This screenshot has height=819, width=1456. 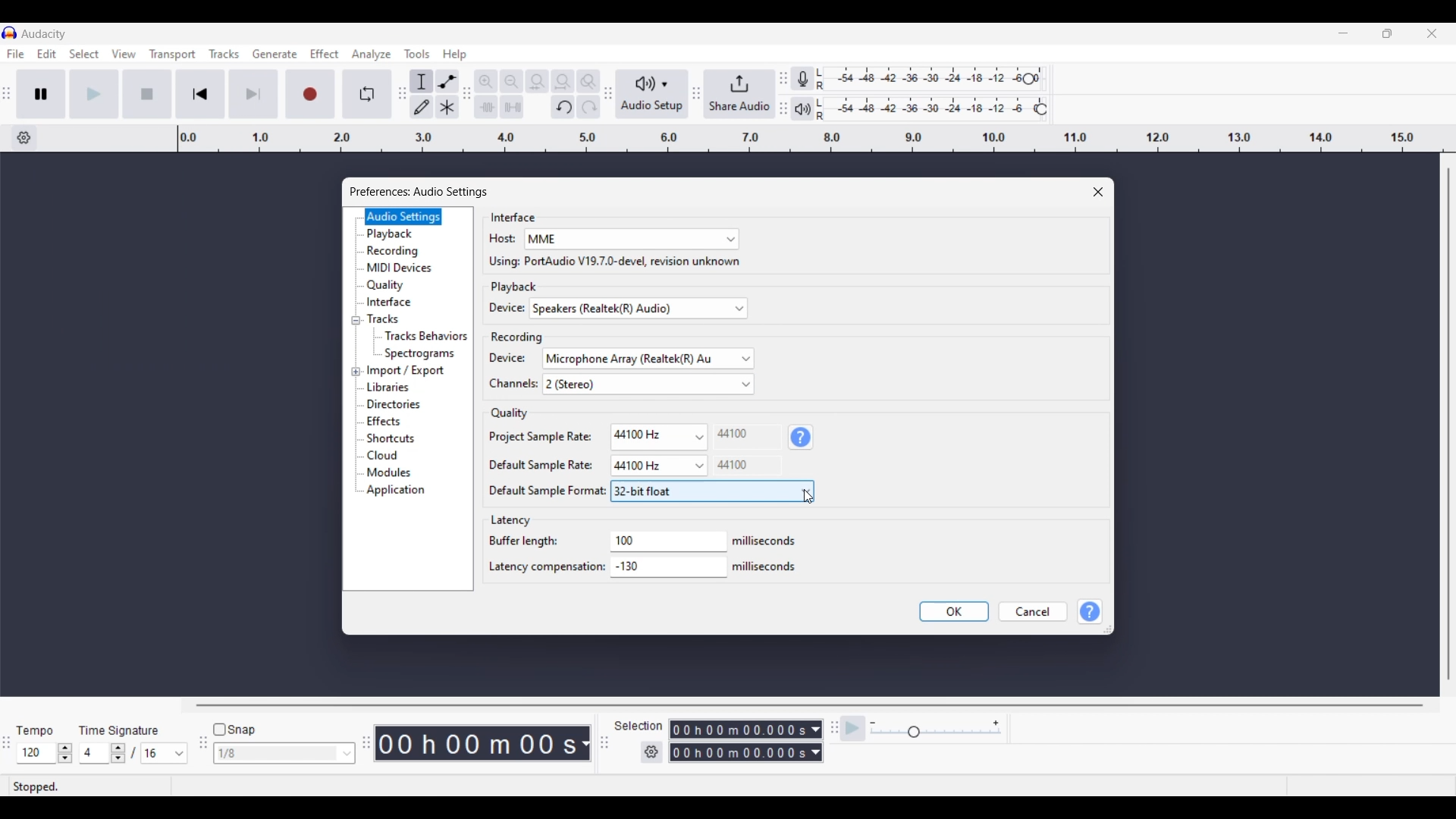 What do you see at coordinates (537, 82) in the screenshot?
I see `Fit selection to width` at bounding box center [537, 82].